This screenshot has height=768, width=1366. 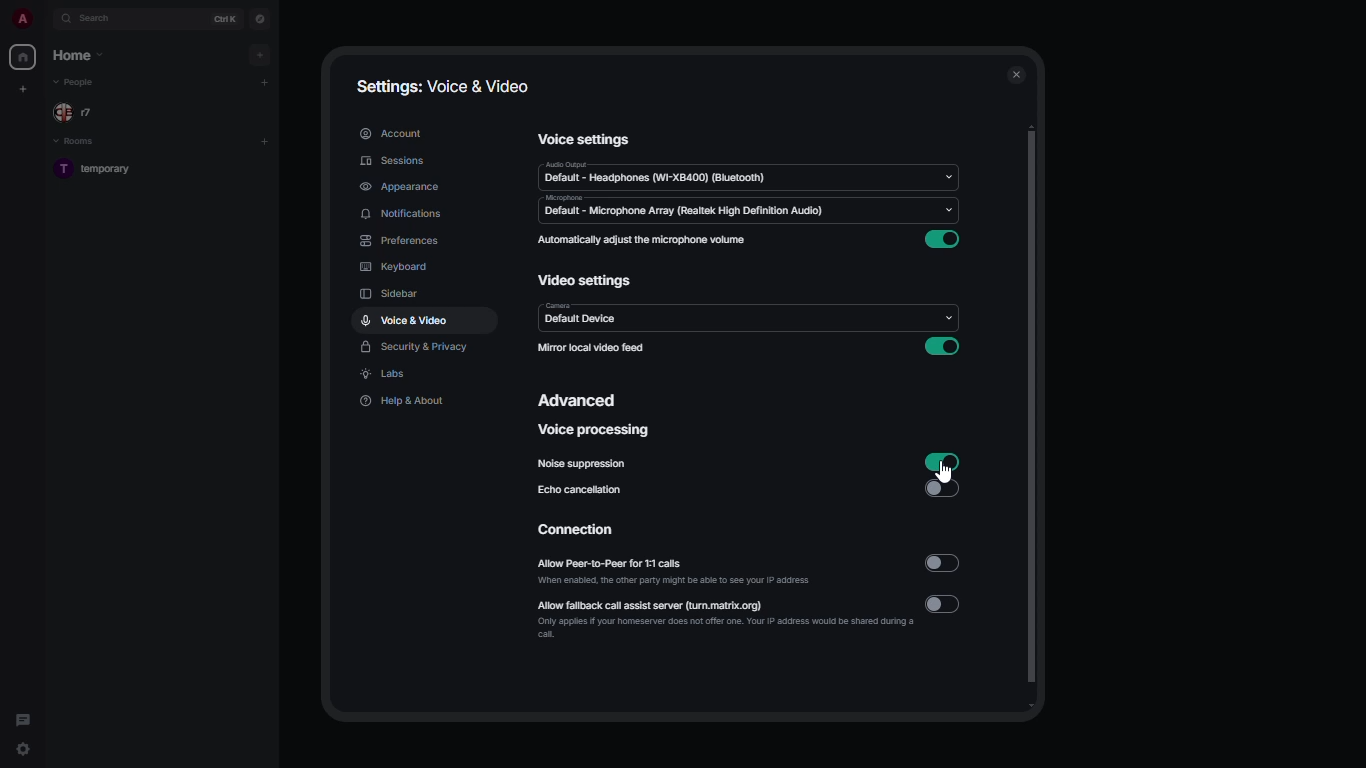 What do you see at coordinates (591, 431) in the screenshot?
I see `voice processing` at bounding box center [591, 431].